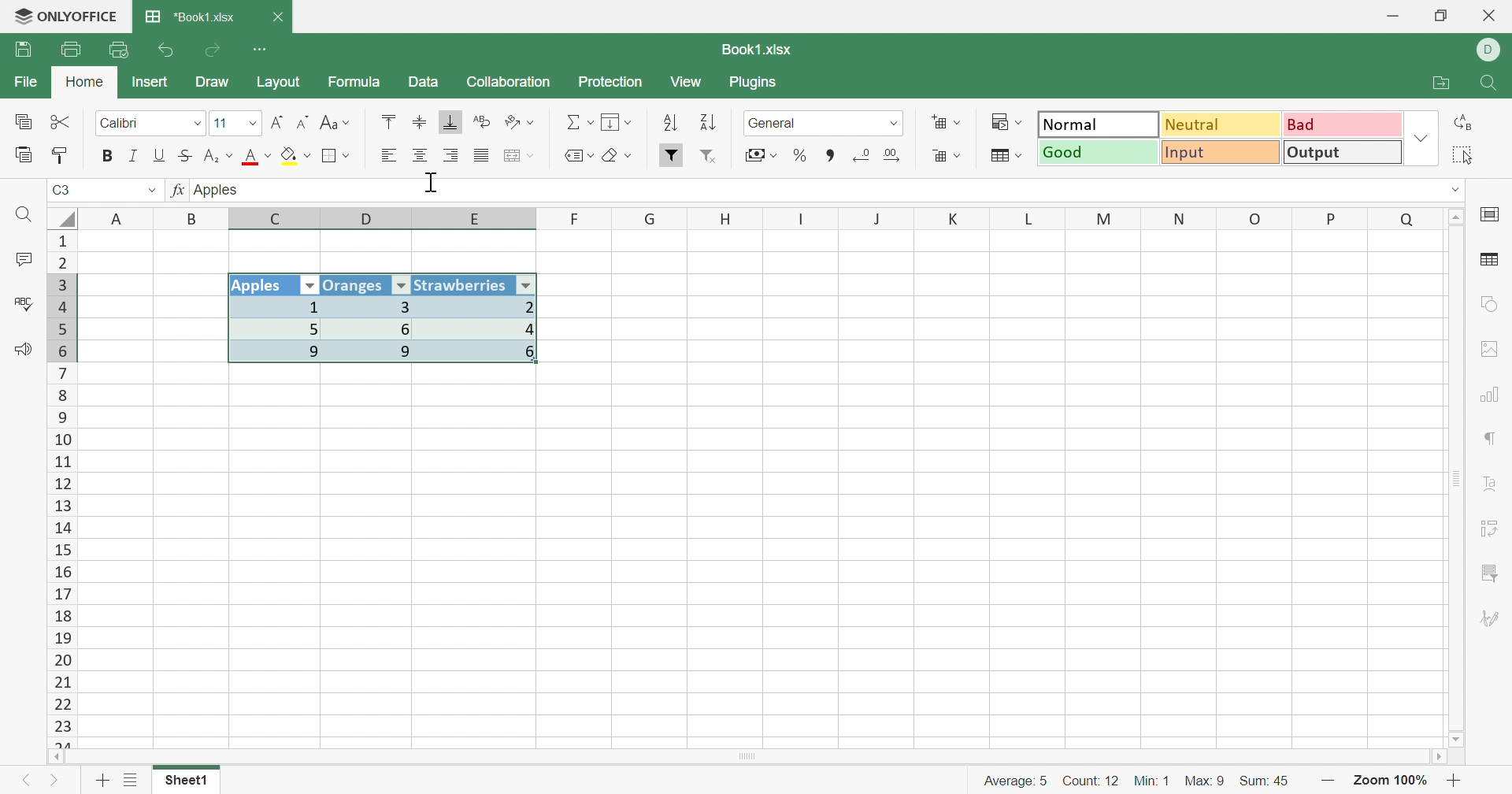  I want to click on Formula, so click(353, 84).